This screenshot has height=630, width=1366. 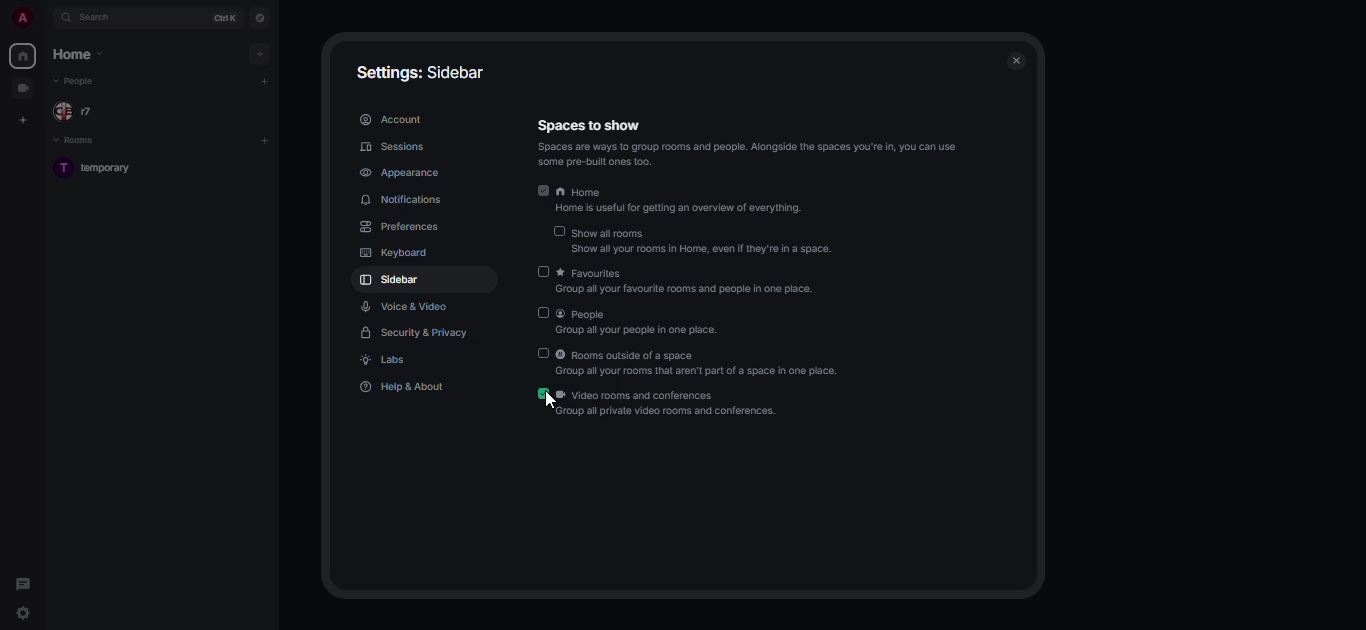 I want to click on add, so click(x=264, y=80).